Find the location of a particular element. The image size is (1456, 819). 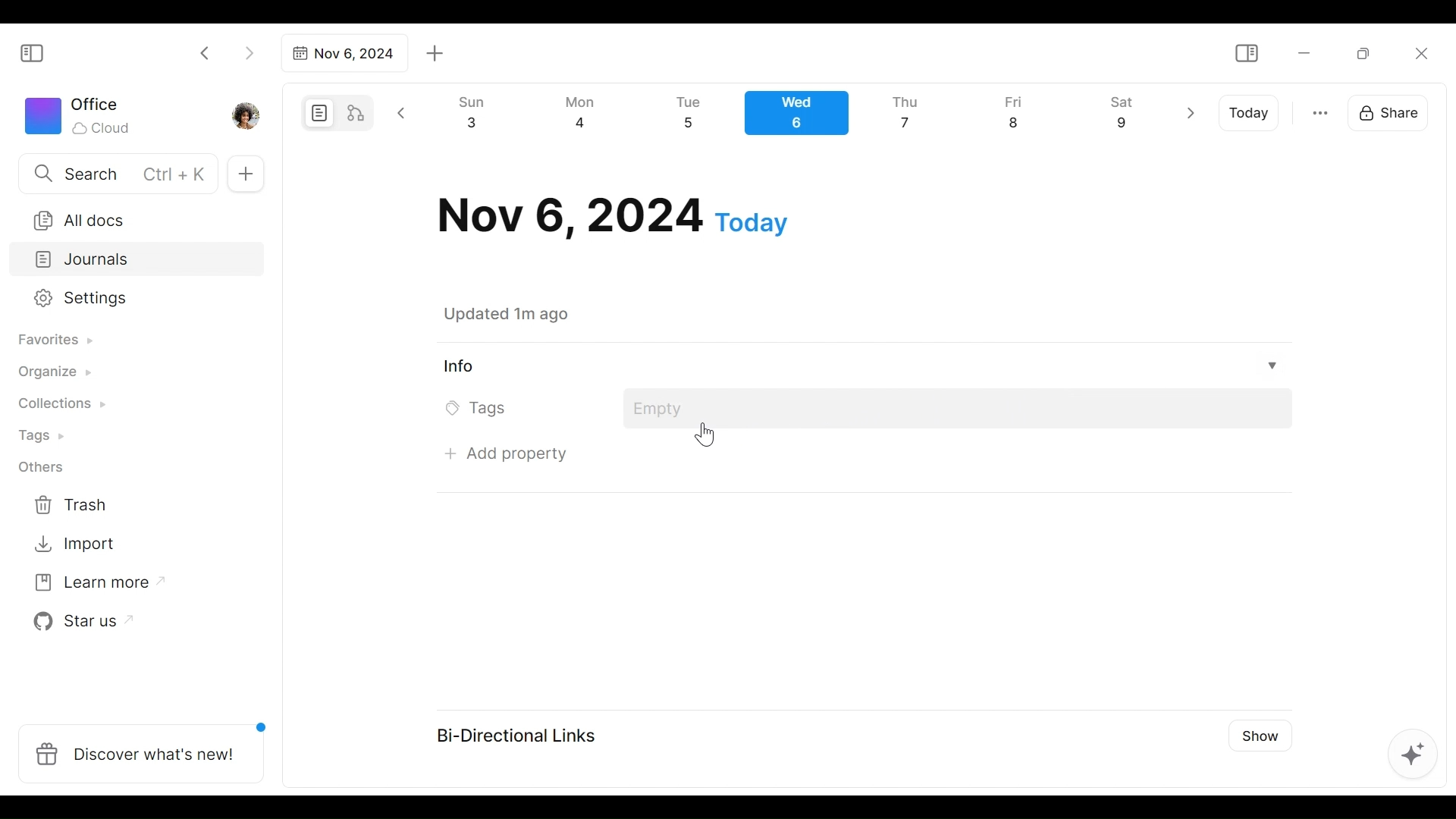

Favorites is located at coordinates (54, 340).